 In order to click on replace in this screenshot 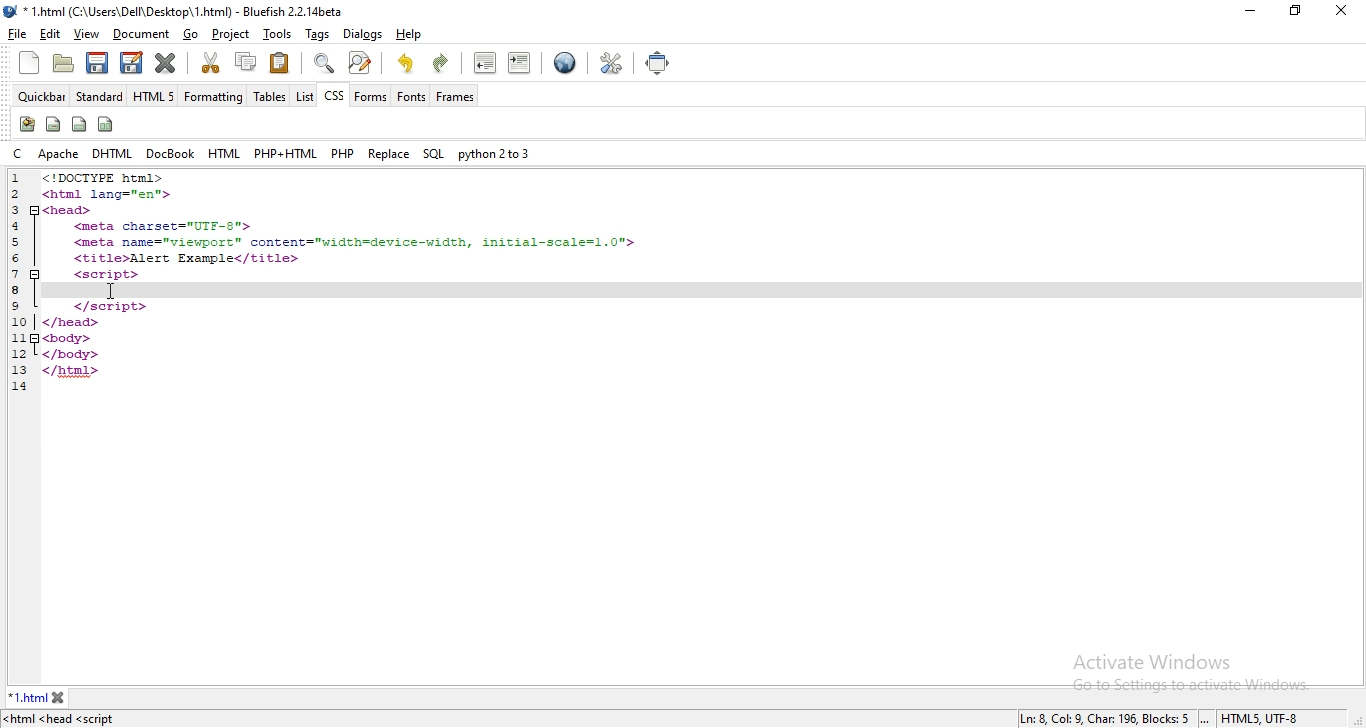, I will do `click(388, 153)`.